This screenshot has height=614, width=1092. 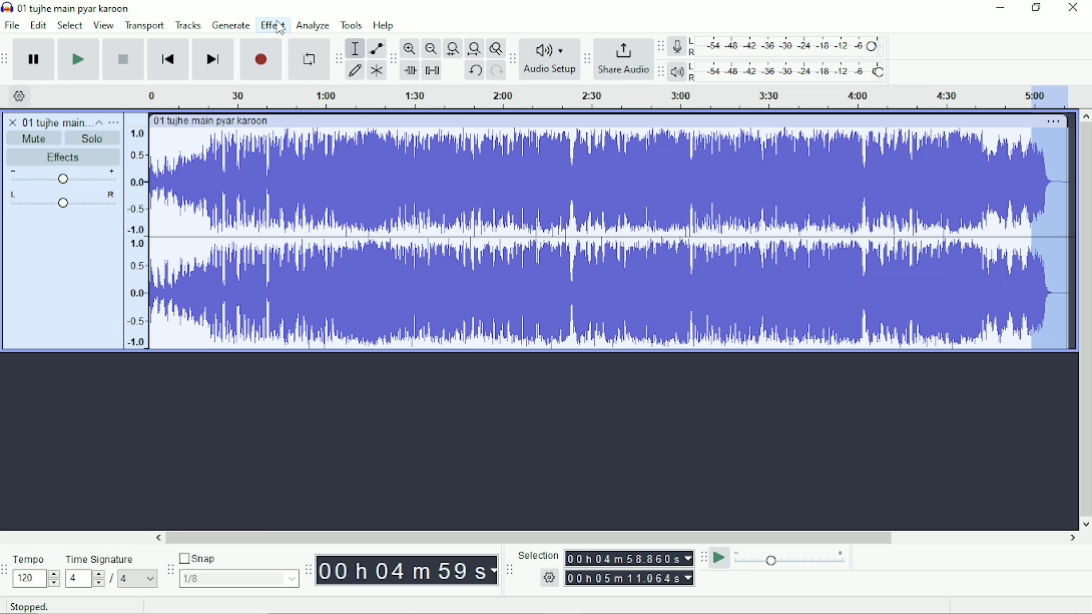 I want to click on Timeline options, so click(x=20, y=95).